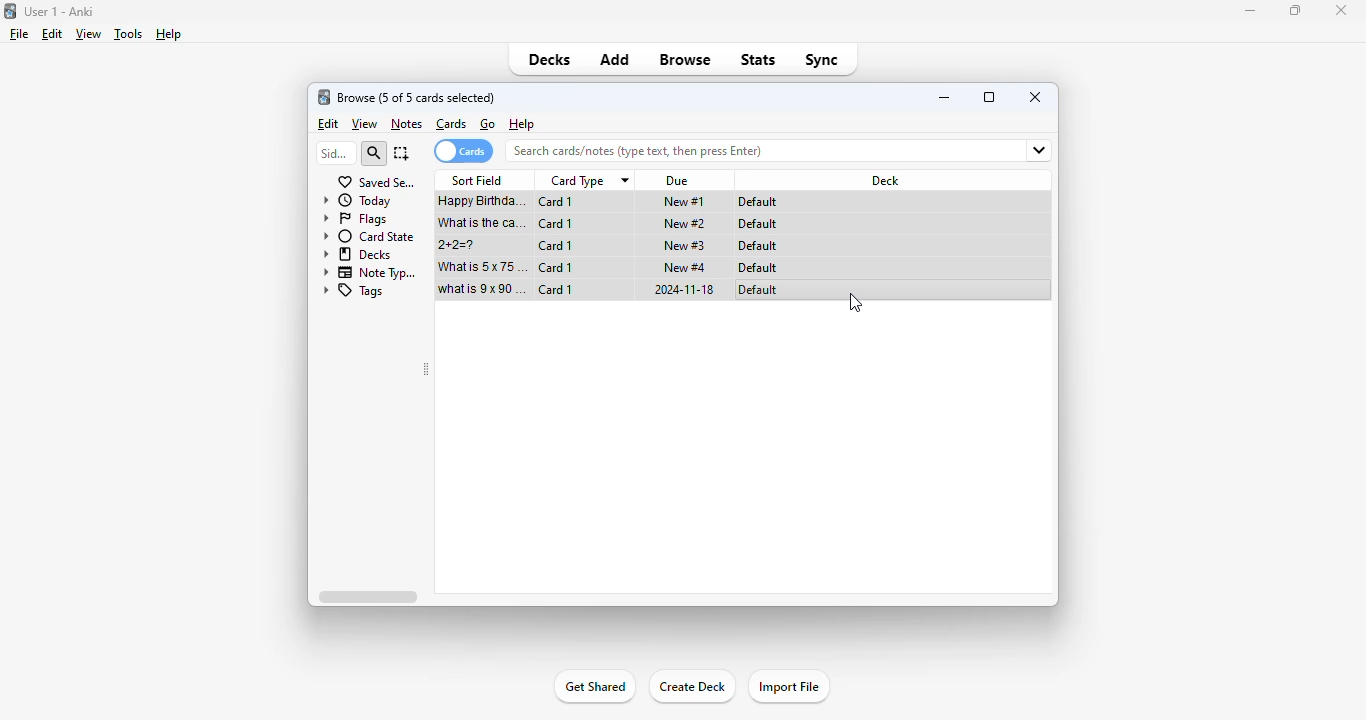 The width and height of the screenshot is (1366, 720). Describe the element at coordinates (758, 290) in the screenshot. I see `default` at that location.